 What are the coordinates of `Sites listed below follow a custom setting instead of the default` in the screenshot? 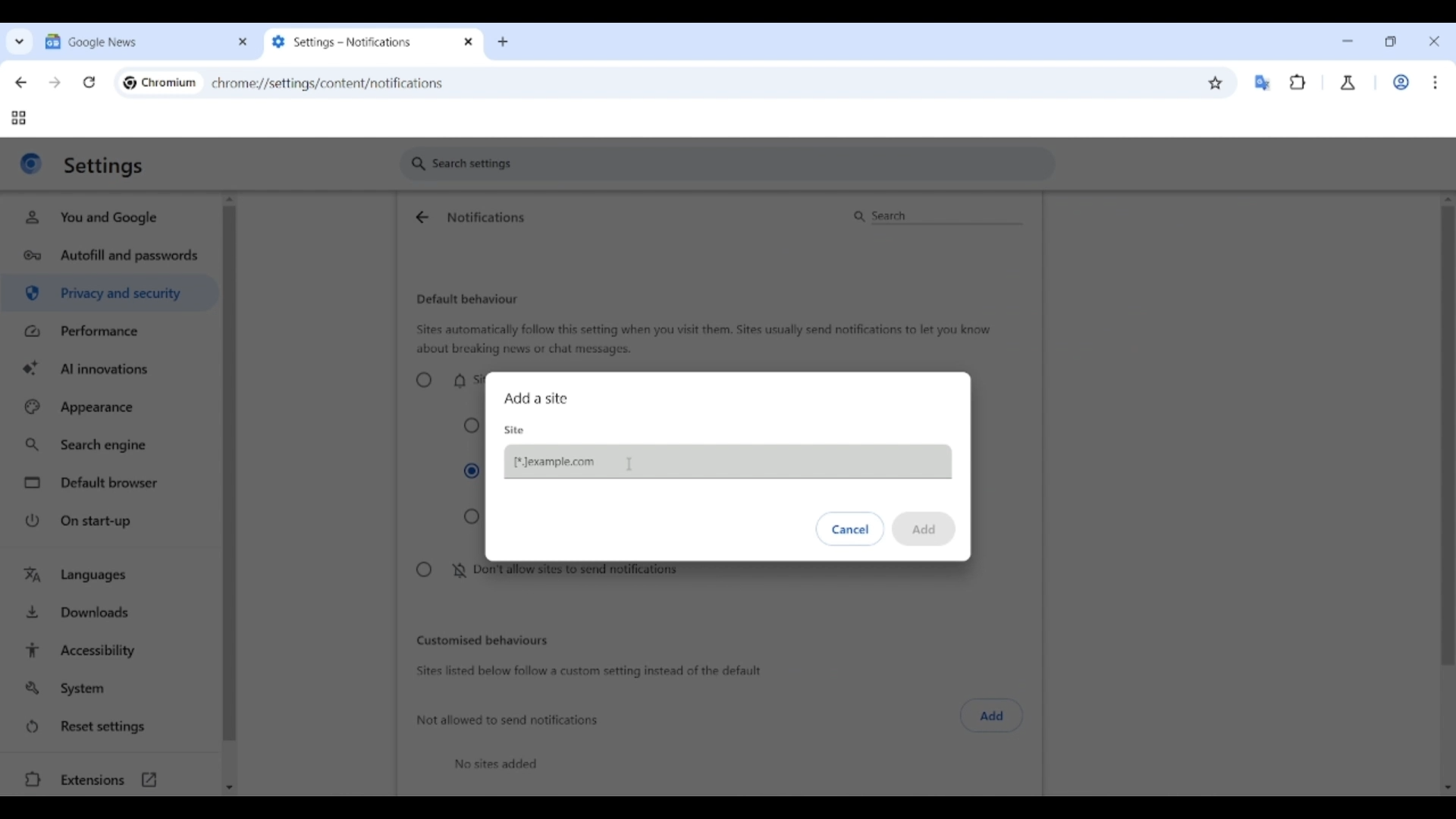 It's located at (587, 672).